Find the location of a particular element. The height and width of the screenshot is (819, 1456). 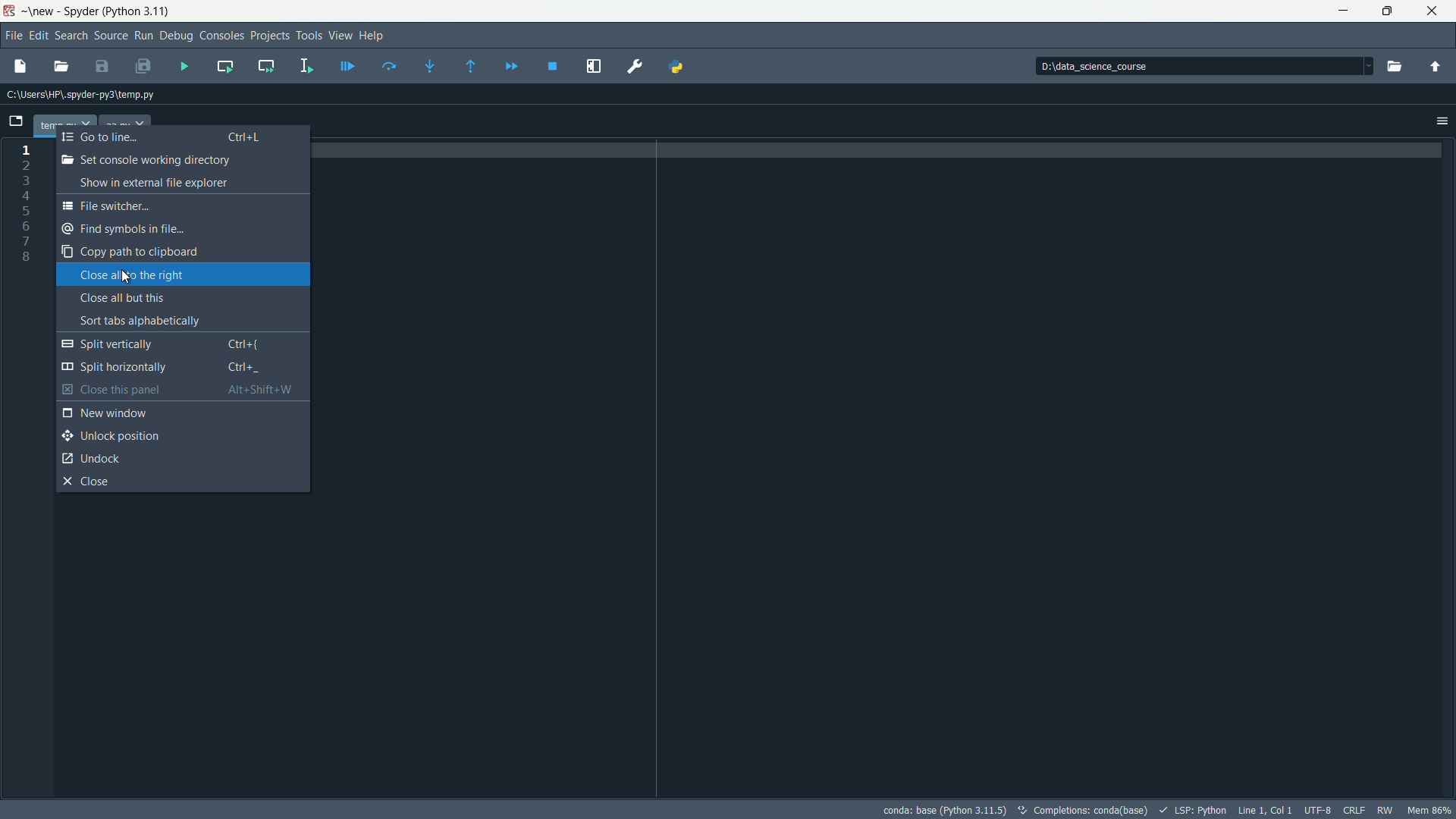

seach menu is located at coordinates (71, 36).